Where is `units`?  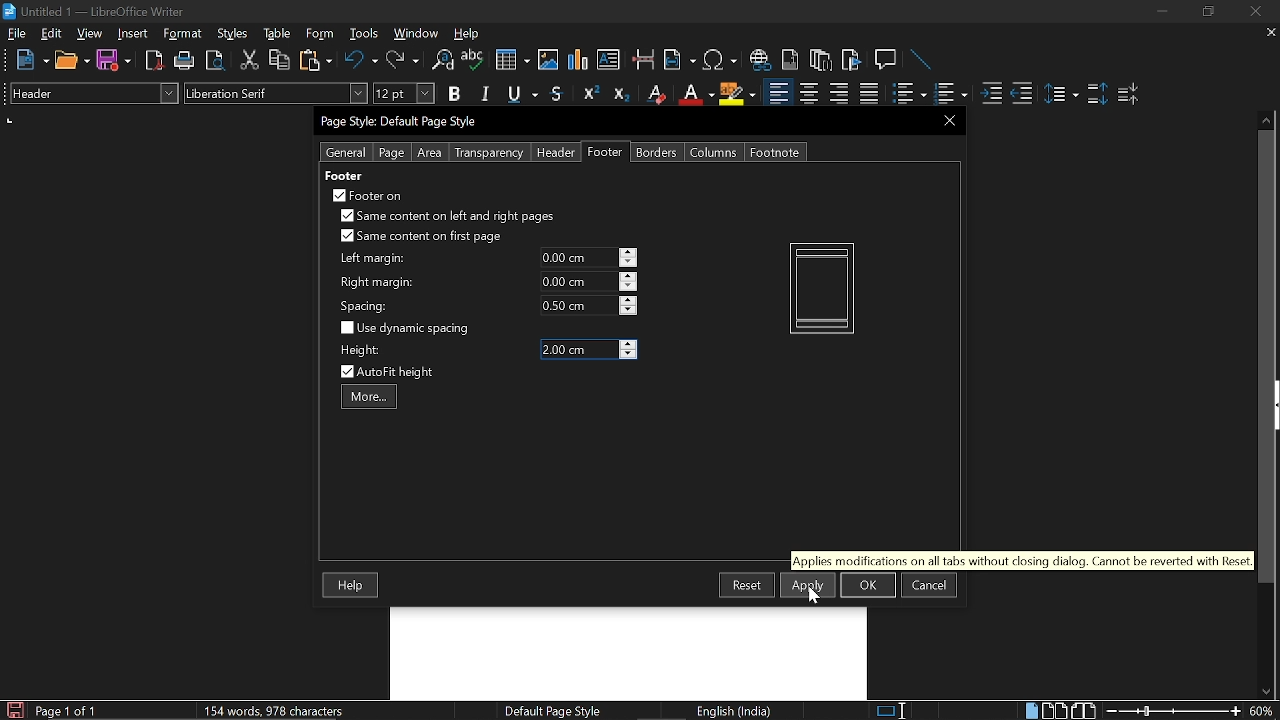 units is located at coordinates (11, 121).